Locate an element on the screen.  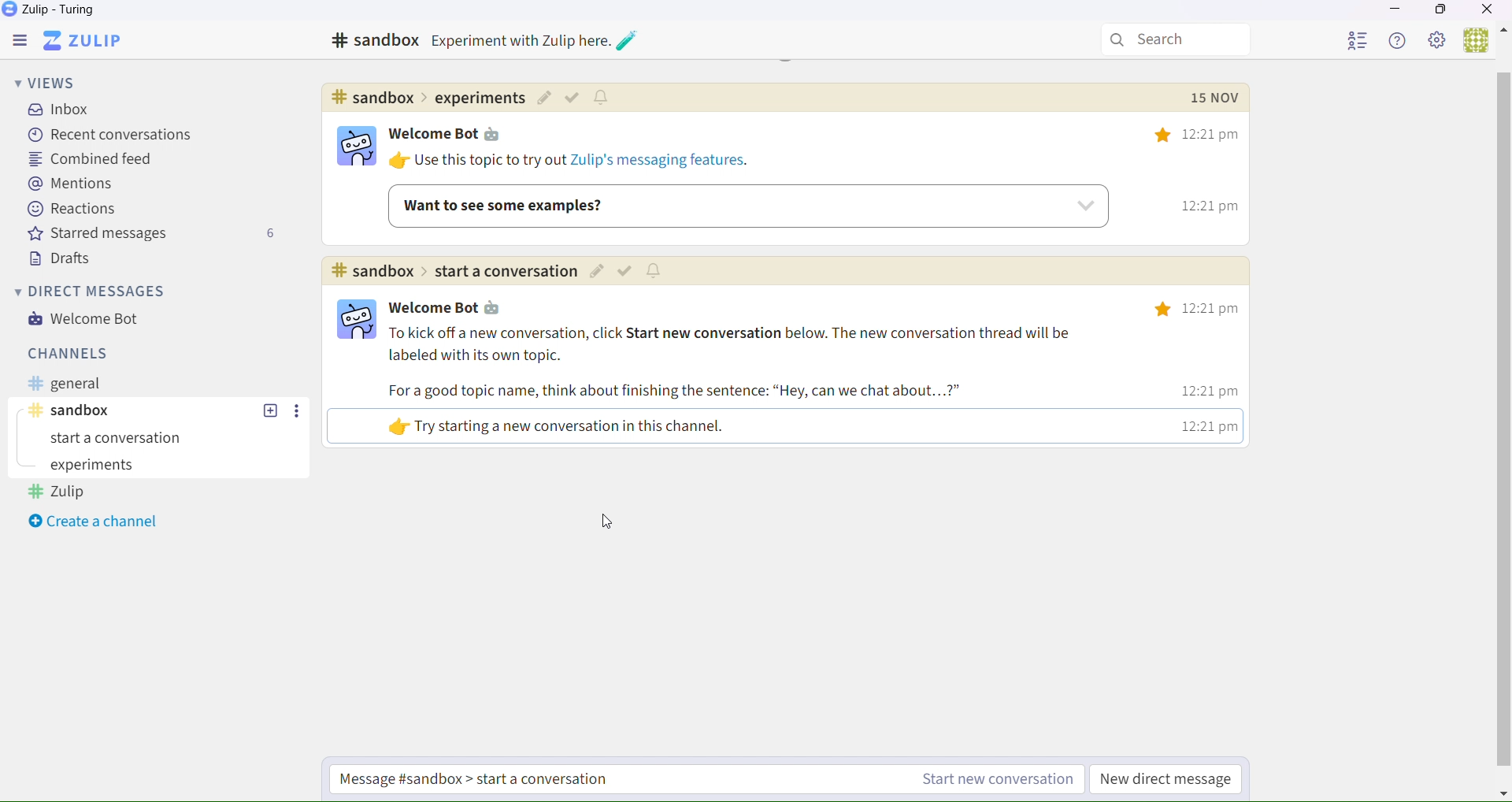
Zulip is located at coordinates (92, 39).